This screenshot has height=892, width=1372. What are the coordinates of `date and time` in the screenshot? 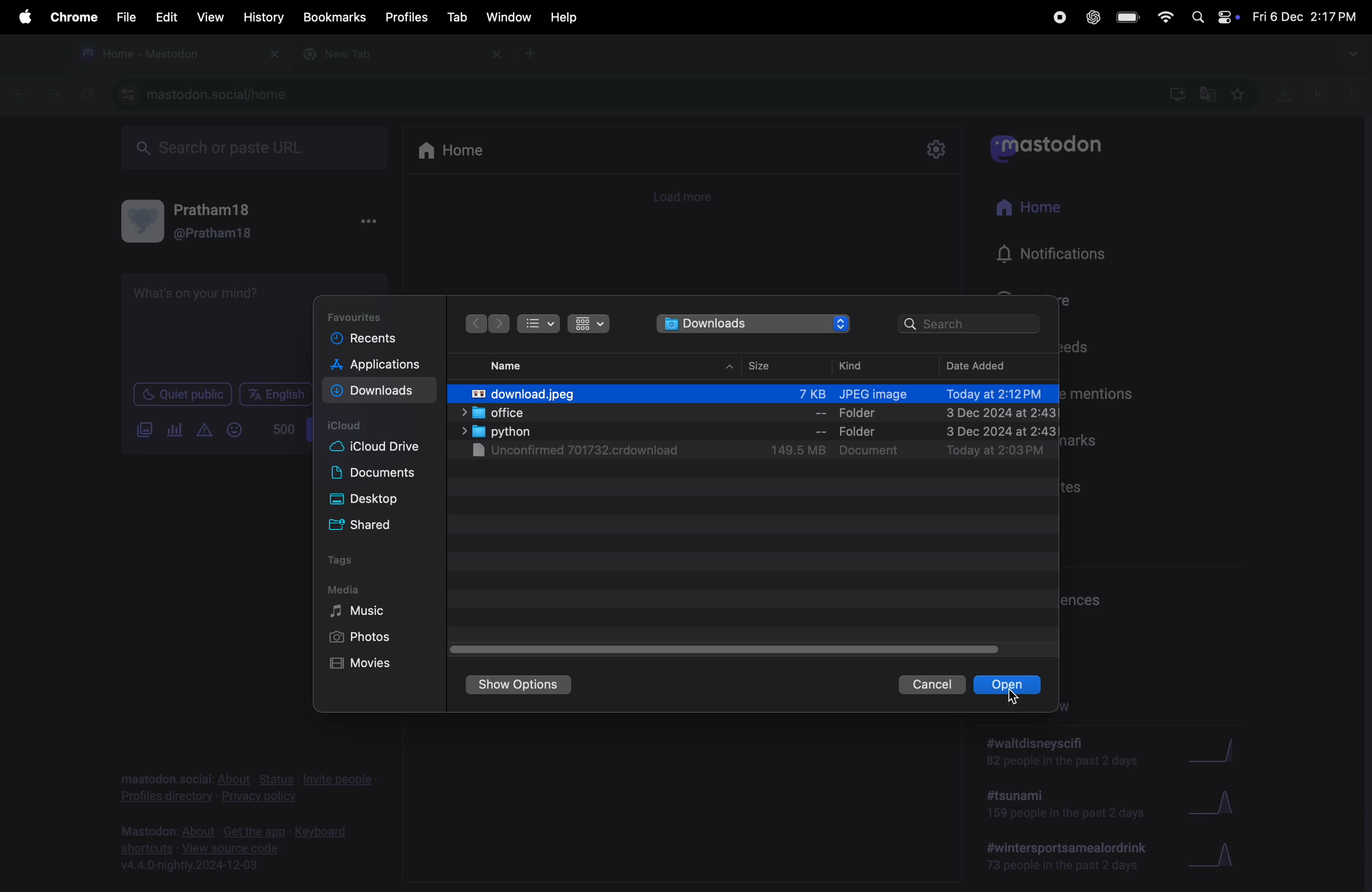 It's located at (1304, 16).